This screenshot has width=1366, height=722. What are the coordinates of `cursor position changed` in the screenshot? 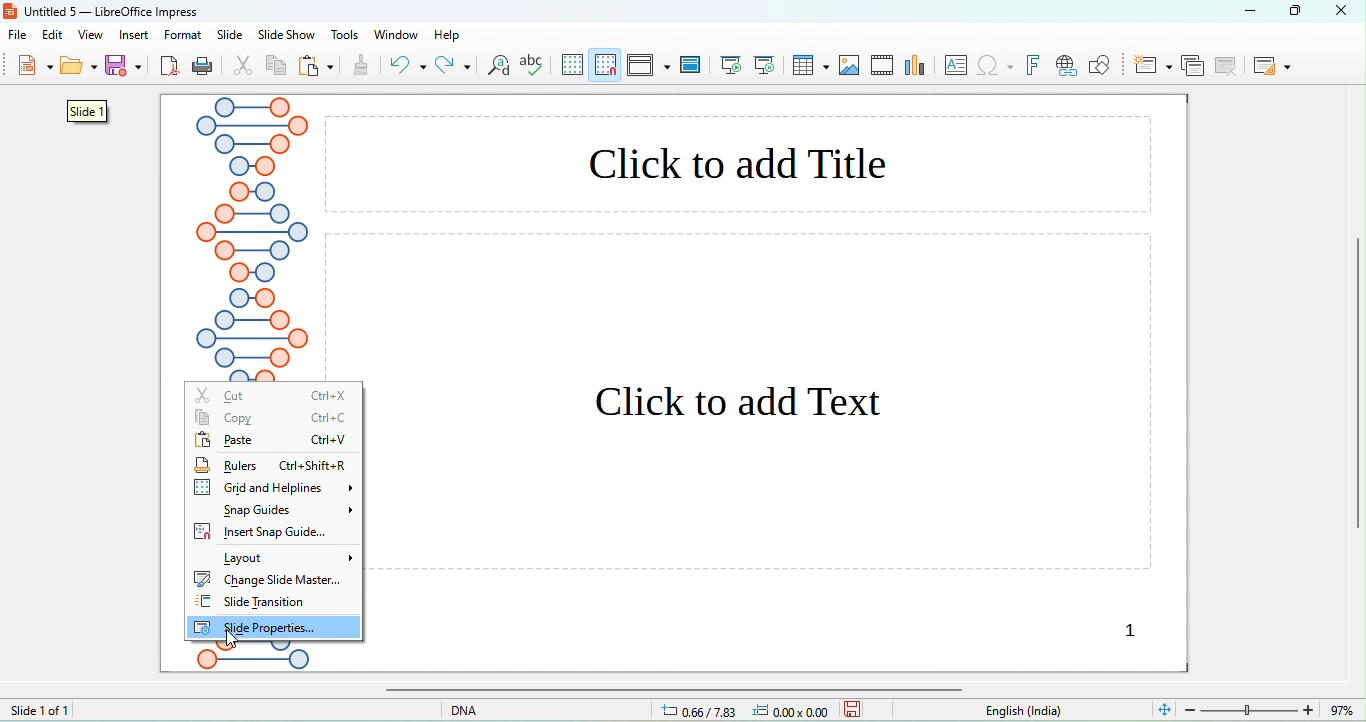 It's located at (750, 710).